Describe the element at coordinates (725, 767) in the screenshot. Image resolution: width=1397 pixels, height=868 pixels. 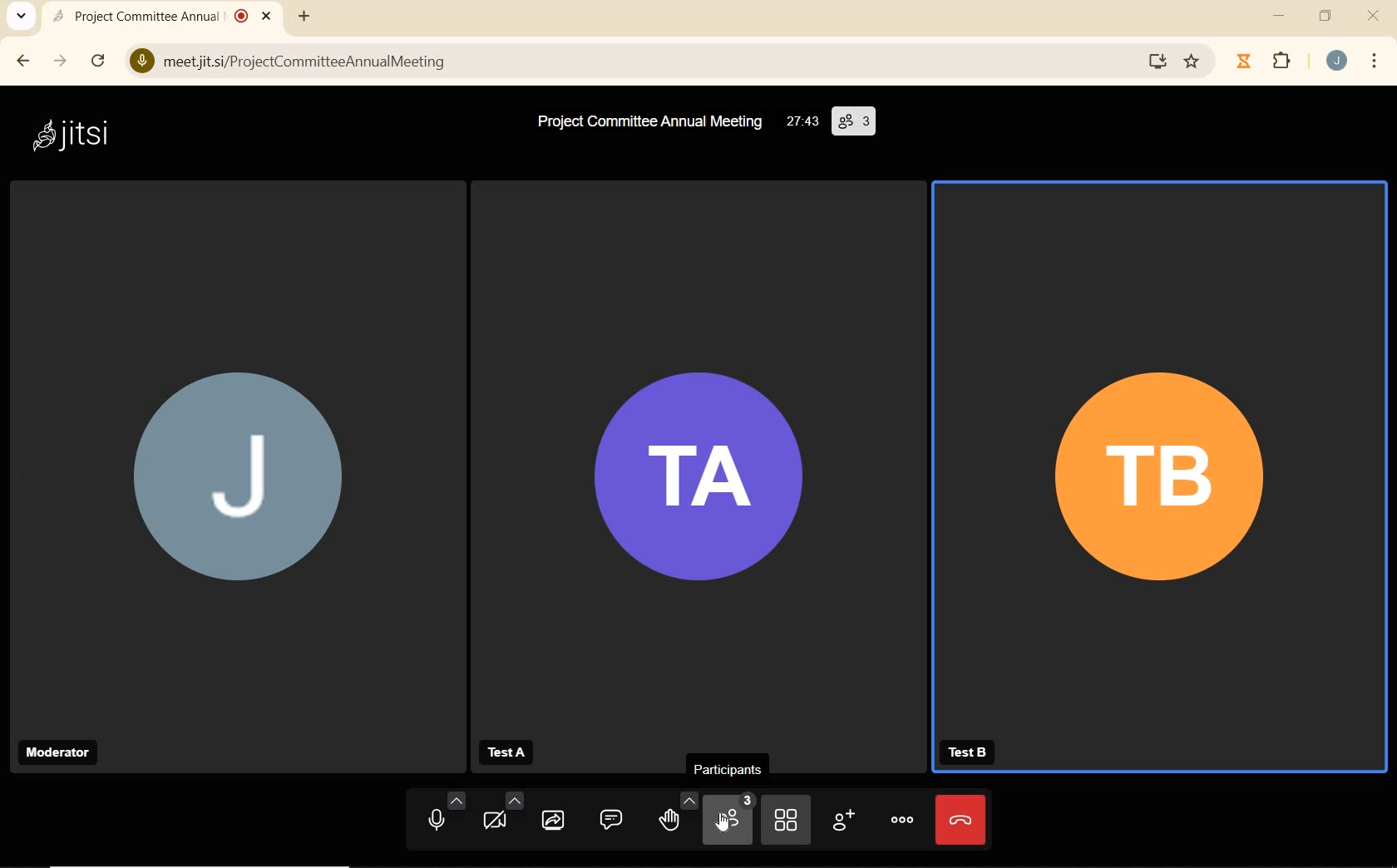
I see `Participants` at that location.